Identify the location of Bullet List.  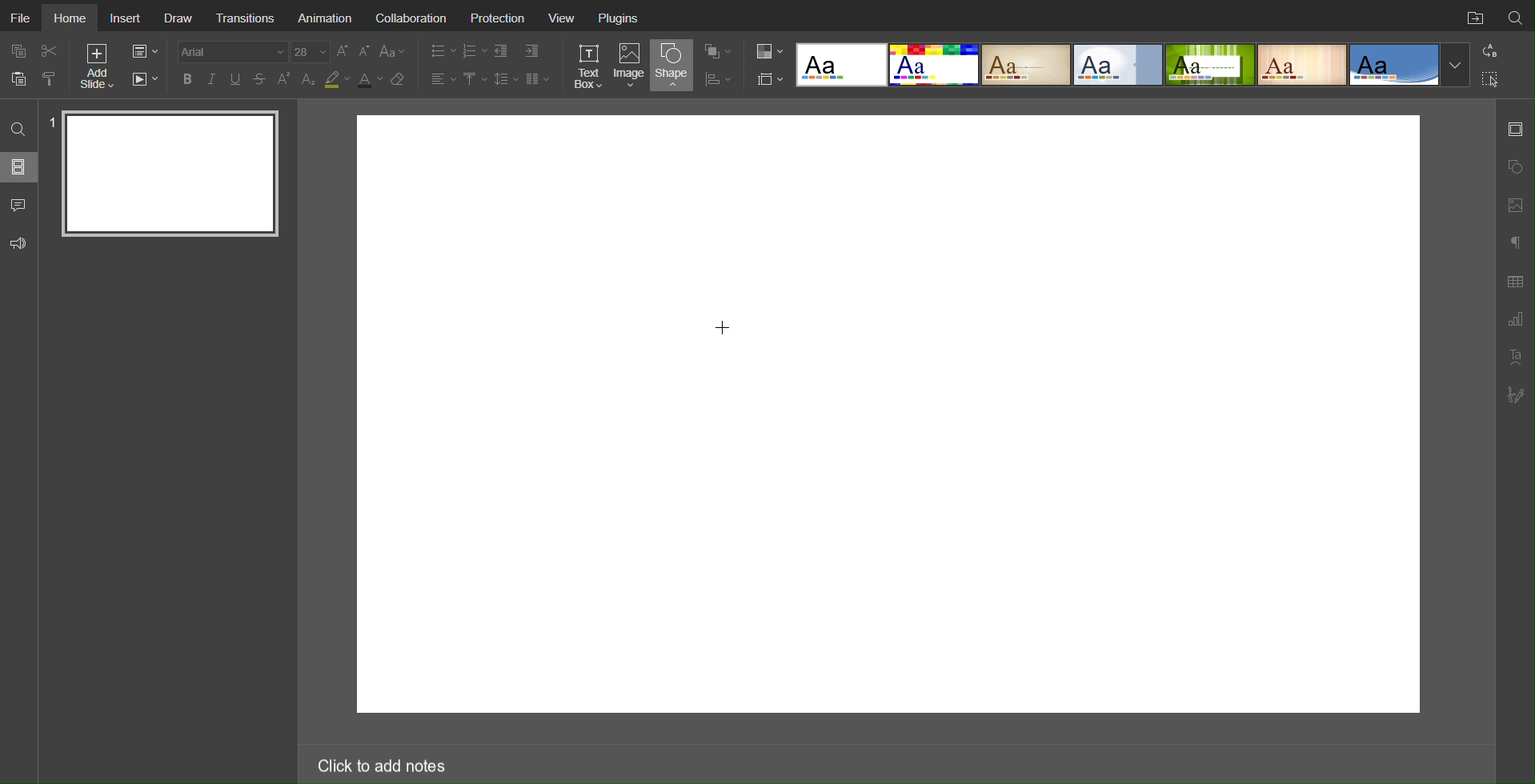
(439, 51).